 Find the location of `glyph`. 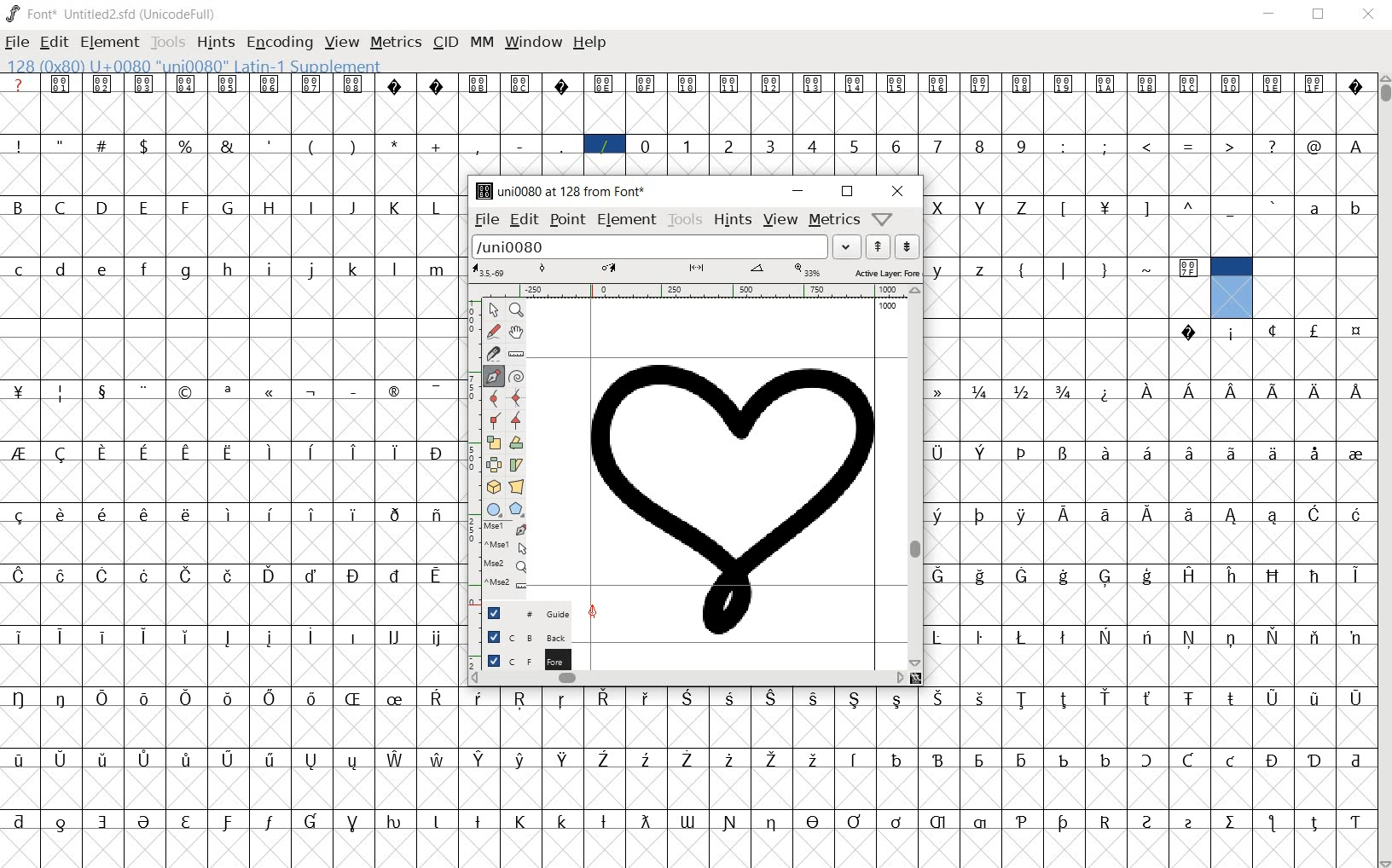

glyph is located at coordinates (391, 391).